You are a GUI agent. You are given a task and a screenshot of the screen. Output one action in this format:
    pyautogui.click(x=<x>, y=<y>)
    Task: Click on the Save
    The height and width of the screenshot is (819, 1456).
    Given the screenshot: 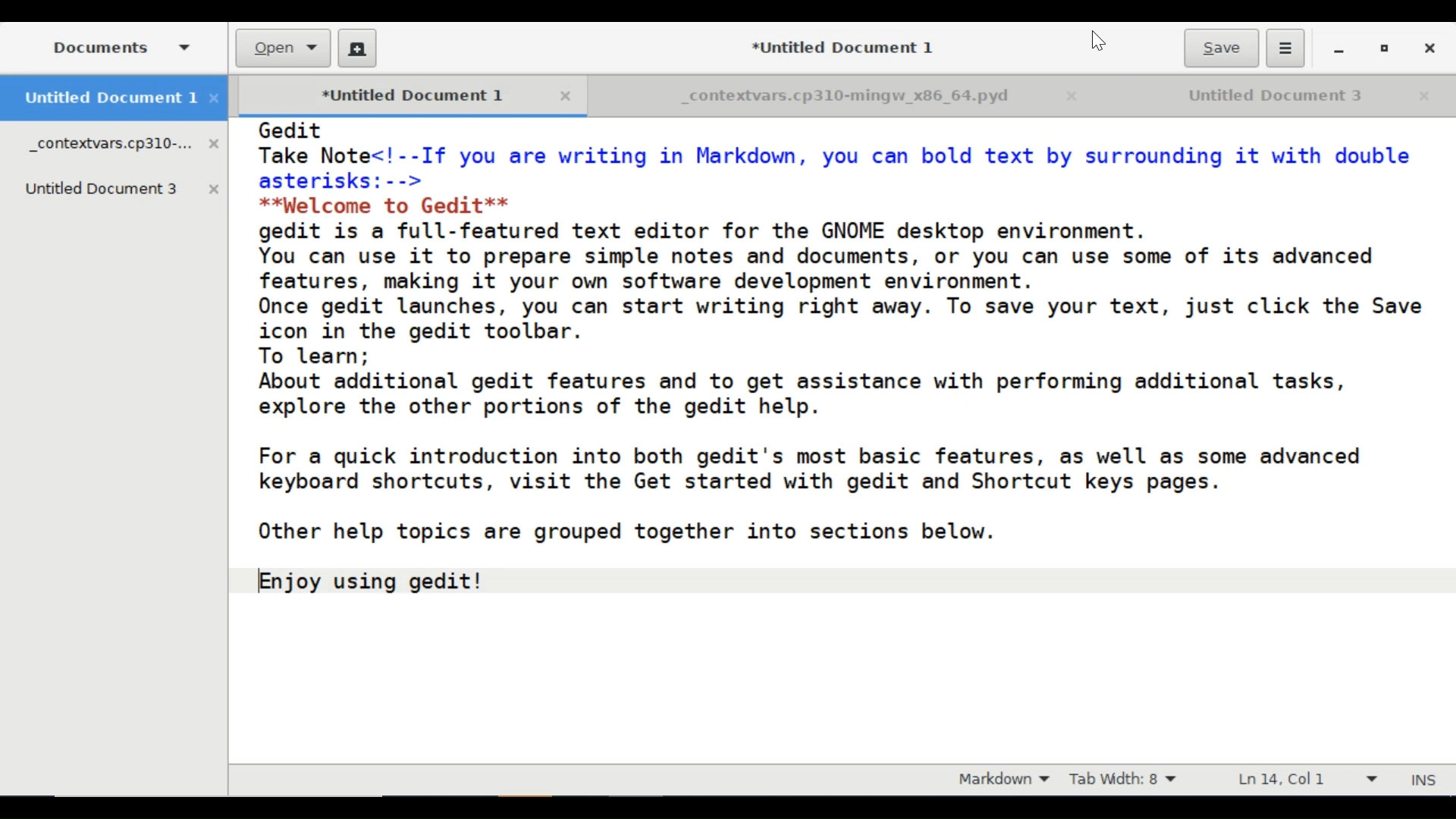 What is the action you would take?
    pyautogui.click(x=1220, y=48)
    